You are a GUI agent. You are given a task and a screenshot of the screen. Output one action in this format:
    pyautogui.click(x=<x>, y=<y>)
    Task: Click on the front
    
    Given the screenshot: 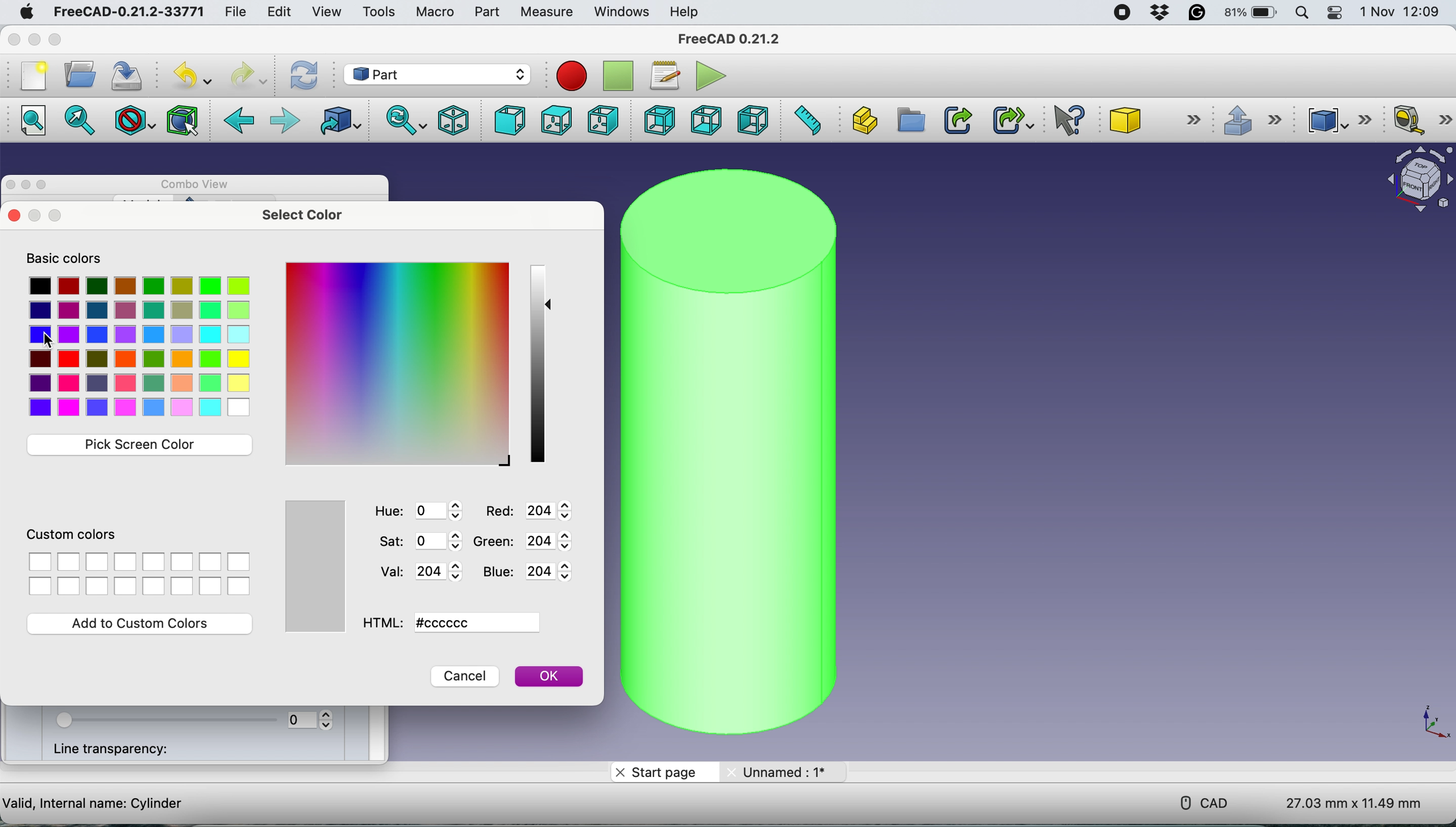 What is the action you would take?
    pyautogui.click(x=507, y=119)
    